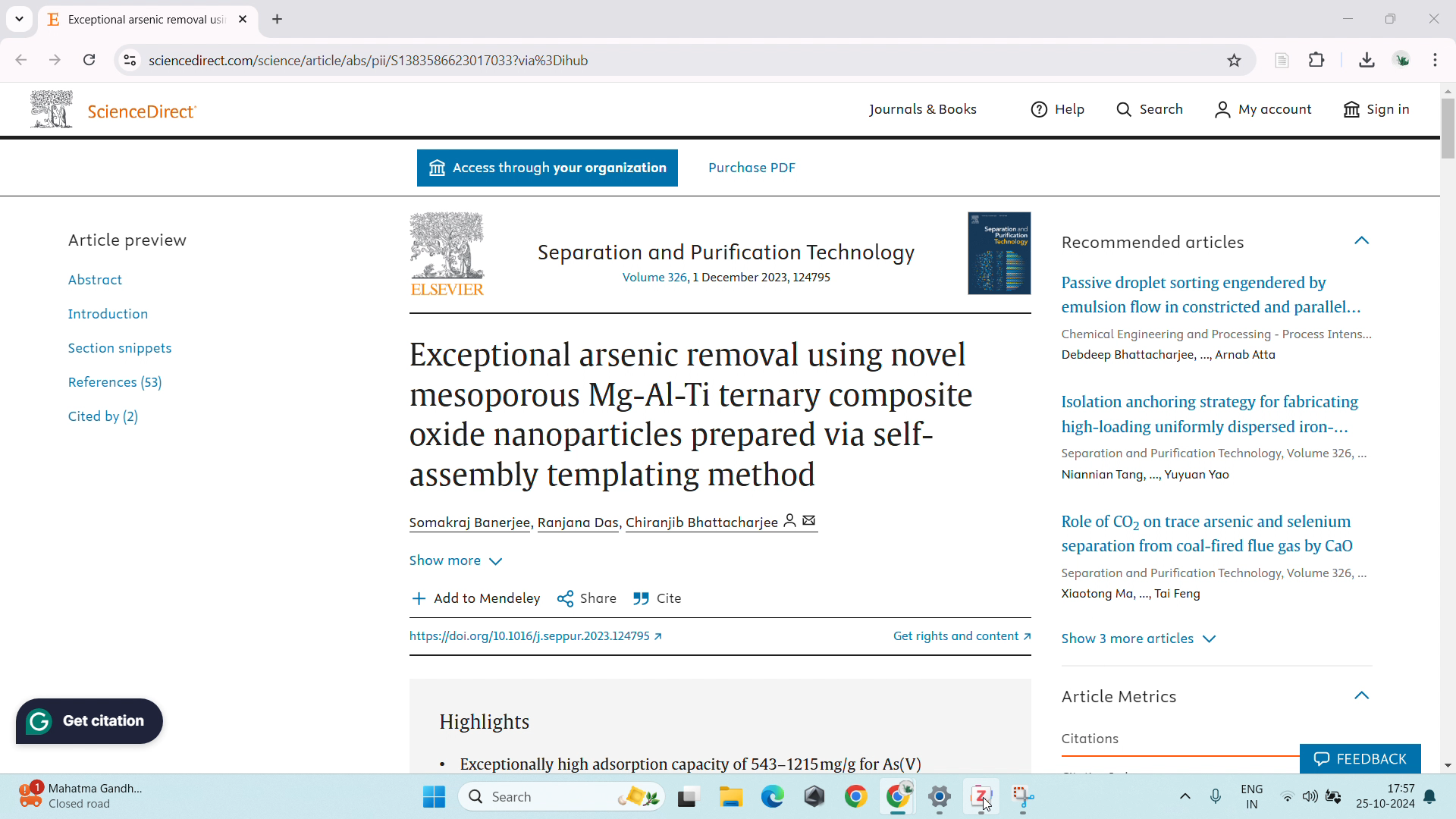  What do you see at coordinates (1002, 250) in the screenshot?
I see `Book Cover page` at bounding box center [1002, 250].